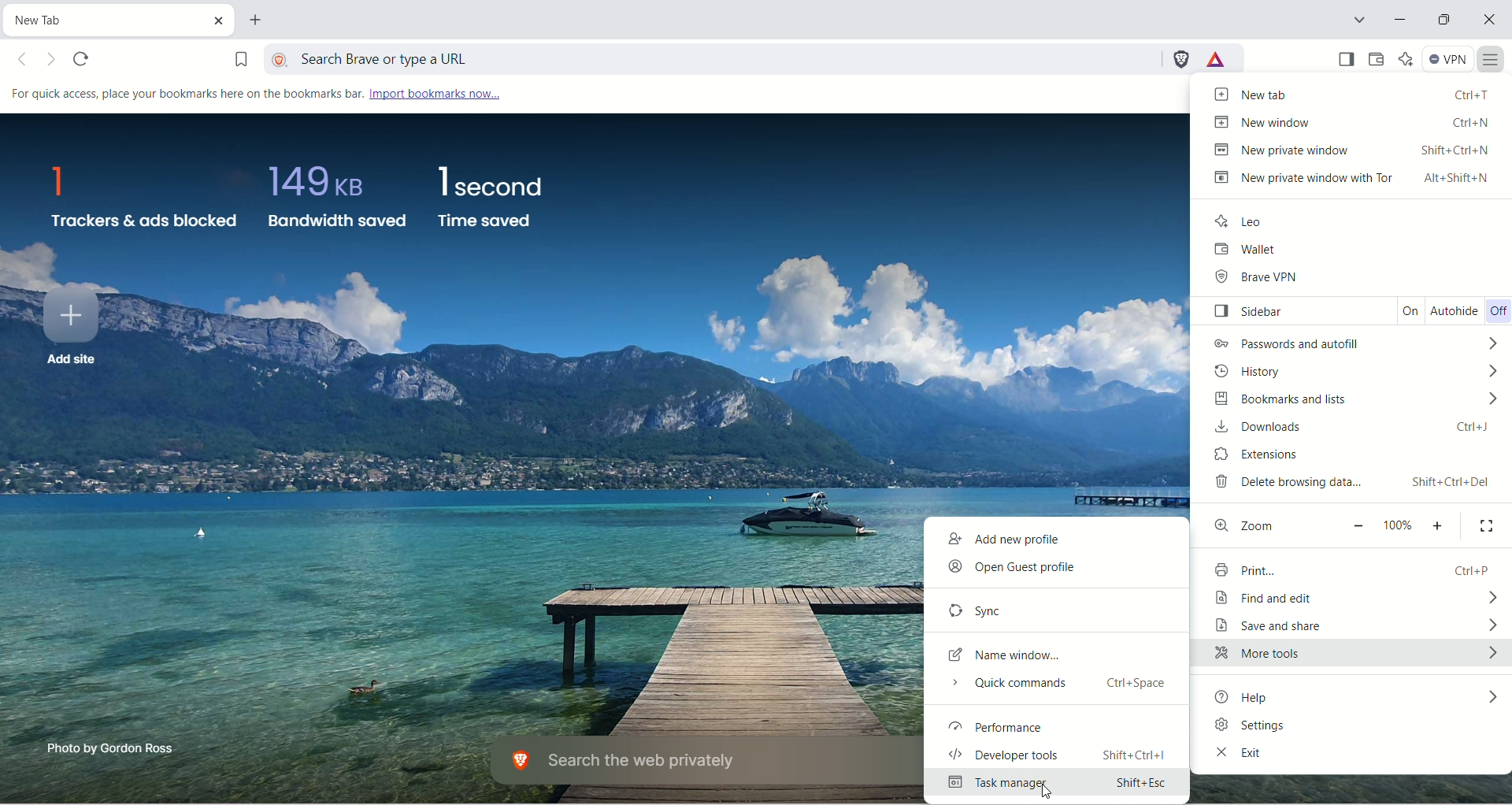 This screenshot has height=805, width=1512. I want to click on save and share, so click(1358, 626).